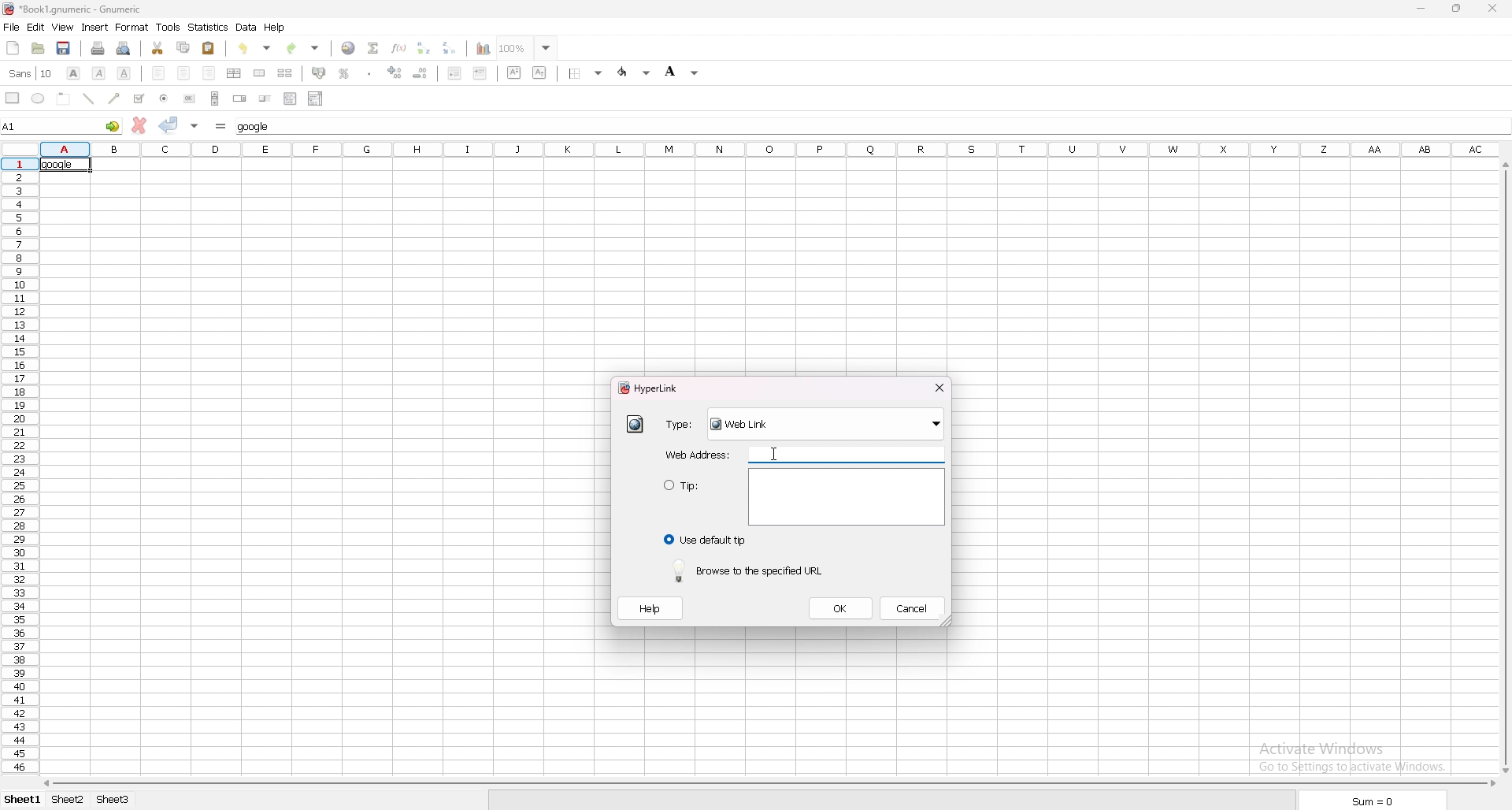 The width and height of the screenshot is (1512, 810). Describe the element at coordinates (421, 73) in the screenshot. I see `decrease decimals` at that location.